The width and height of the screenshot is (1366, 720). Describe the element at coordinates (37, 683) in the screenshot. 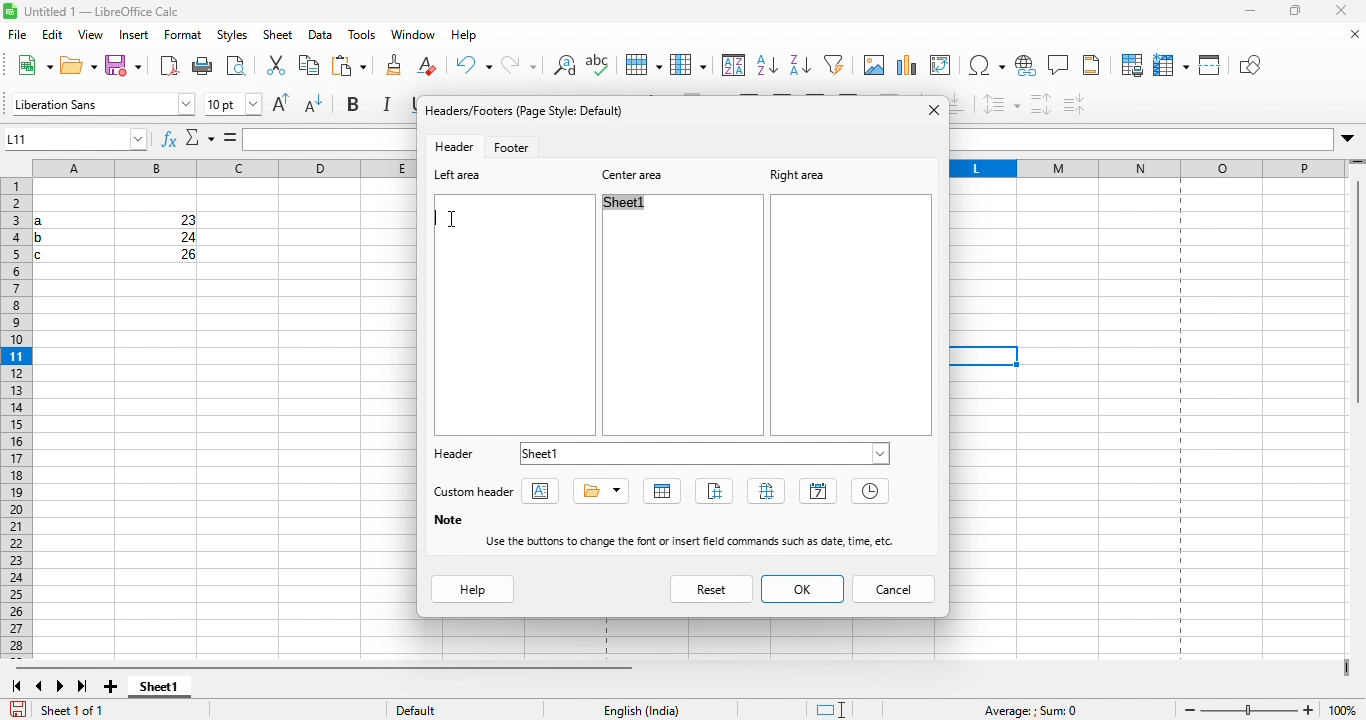

I see `previous sheet` at that location.